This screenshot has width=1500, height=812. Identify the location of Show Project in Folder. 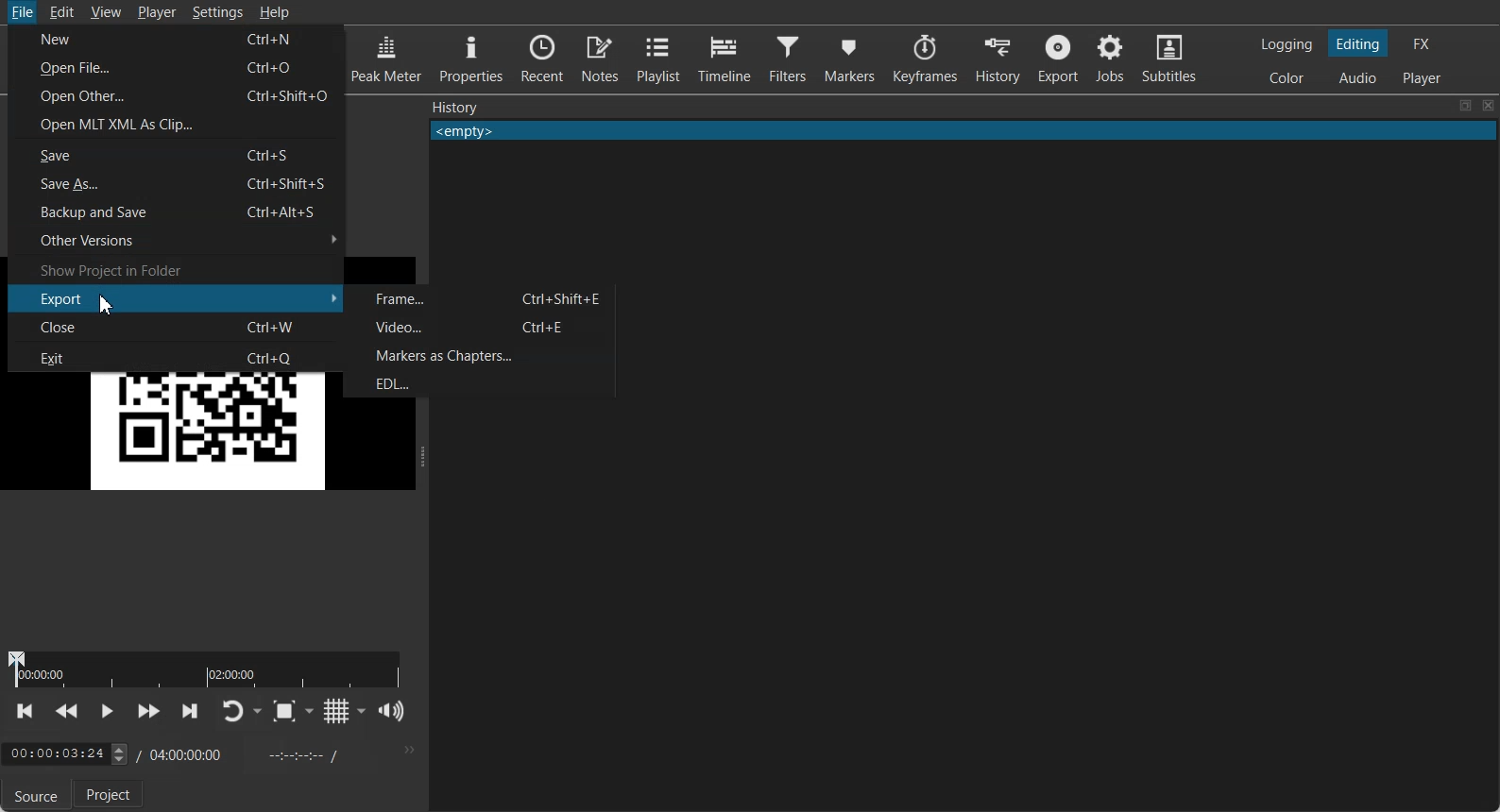
(176, 268).